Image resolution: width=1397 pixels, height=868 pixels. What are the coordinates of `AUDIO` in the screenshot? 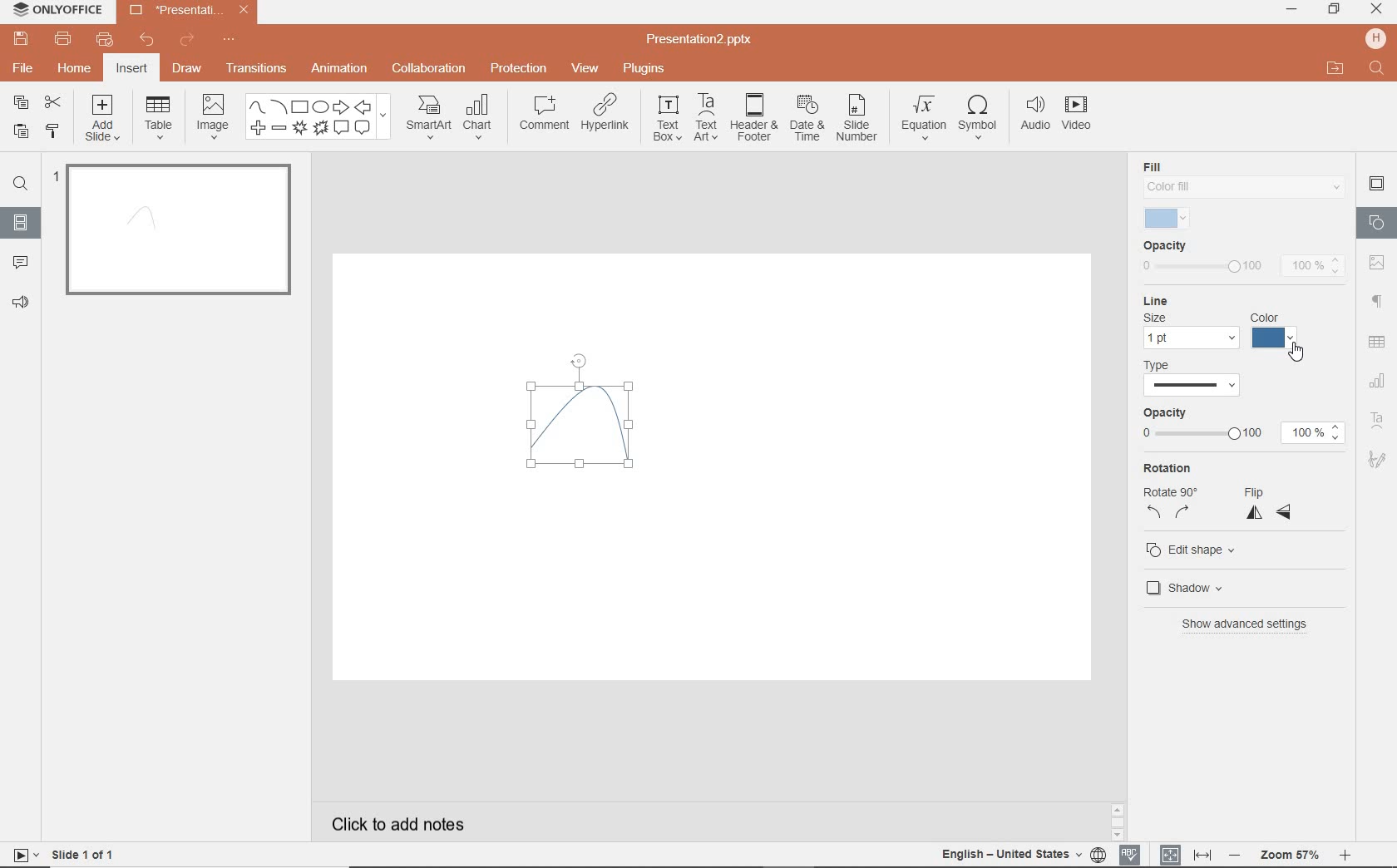 It's located at (1036, 114).